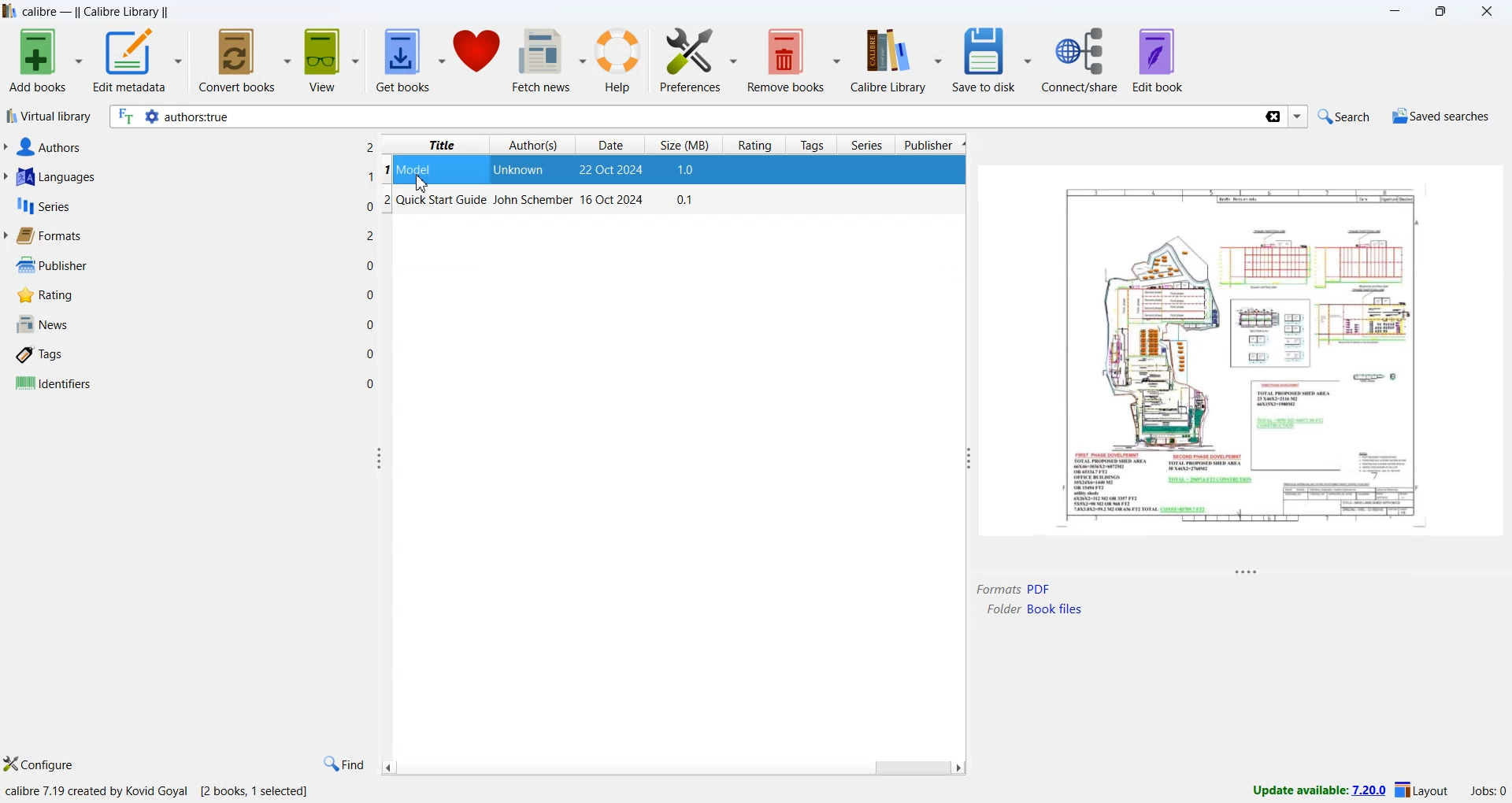 The height and width of the screenshot is (803, 1512). I want to click on Cursor, so click(421, 185).